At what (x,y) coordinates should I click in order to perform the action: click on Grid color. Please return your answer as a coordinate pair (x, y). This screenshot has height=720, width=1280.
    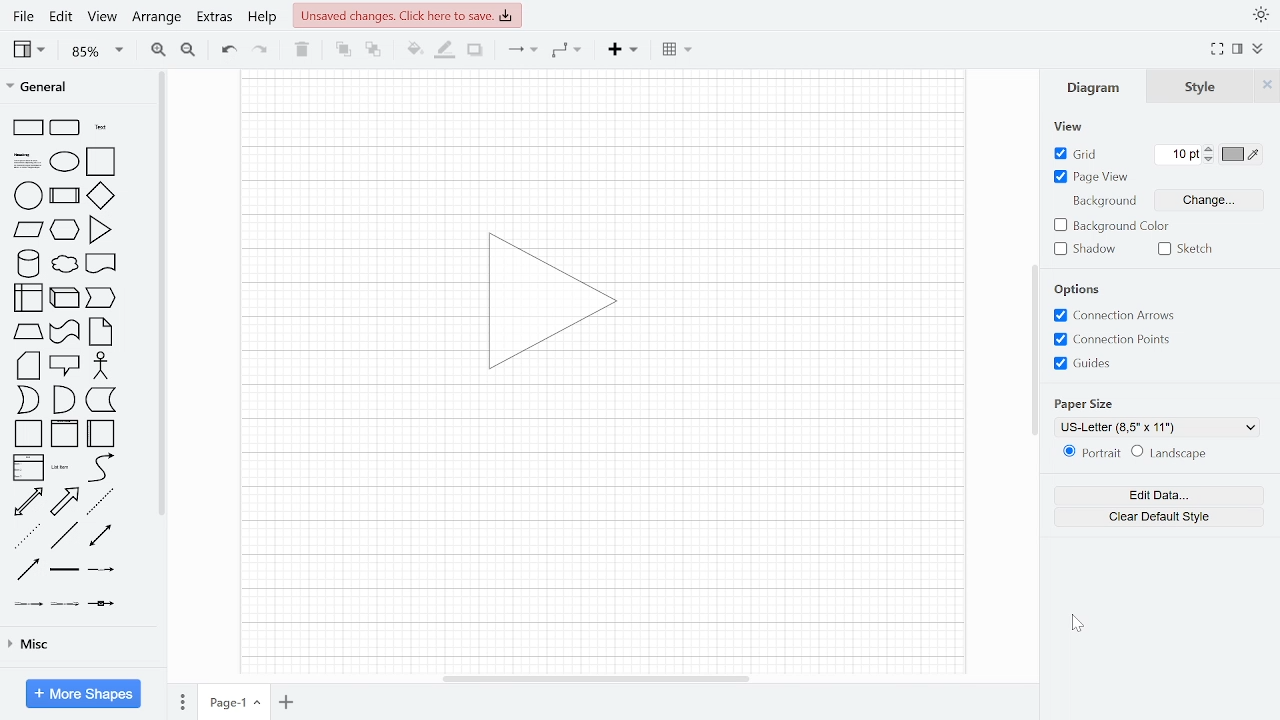
    Looking at the image, I should click on (1240, 154).